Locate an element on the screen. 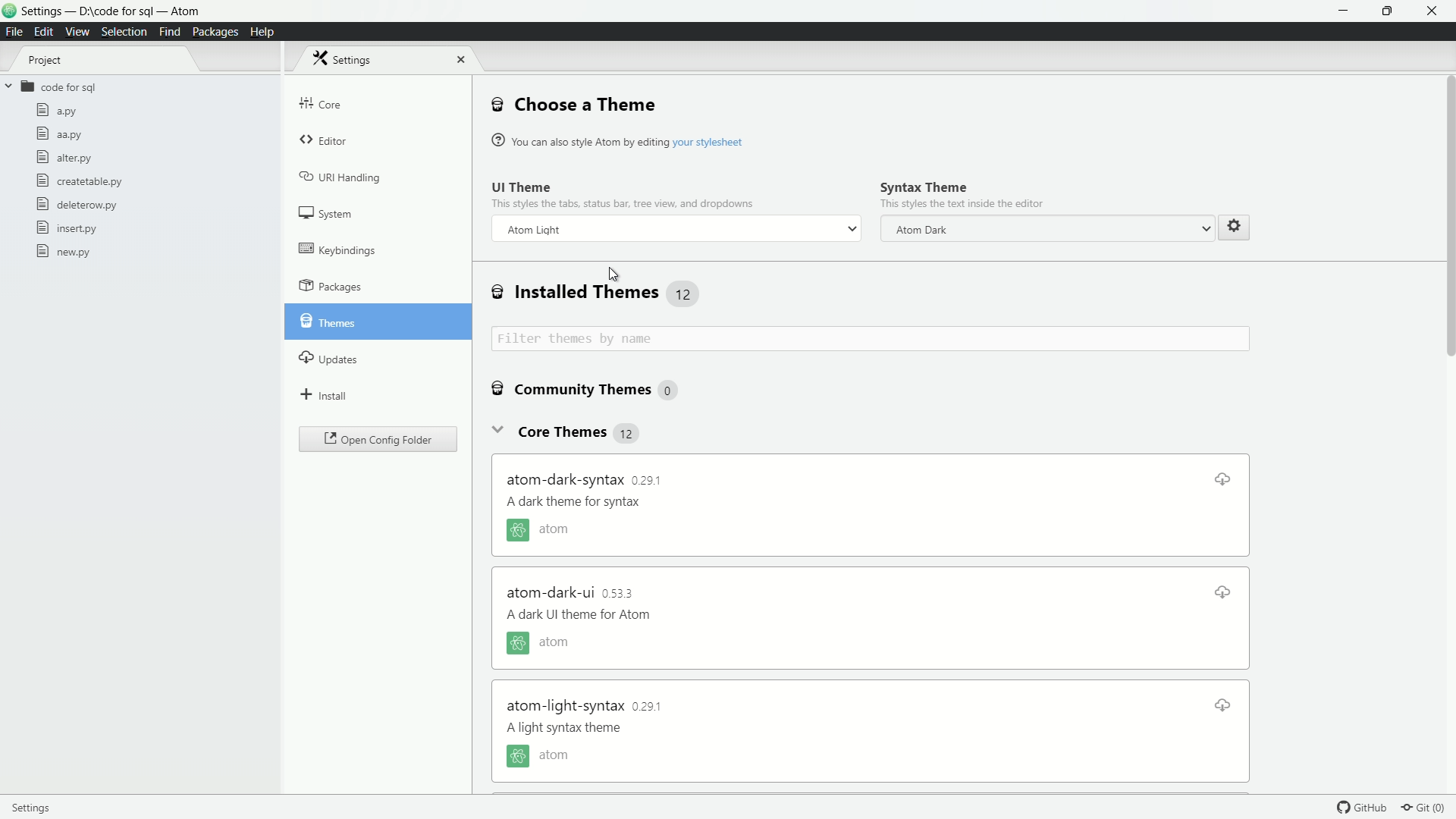  a dark theme for syntax is located at coordinates (573, 616).